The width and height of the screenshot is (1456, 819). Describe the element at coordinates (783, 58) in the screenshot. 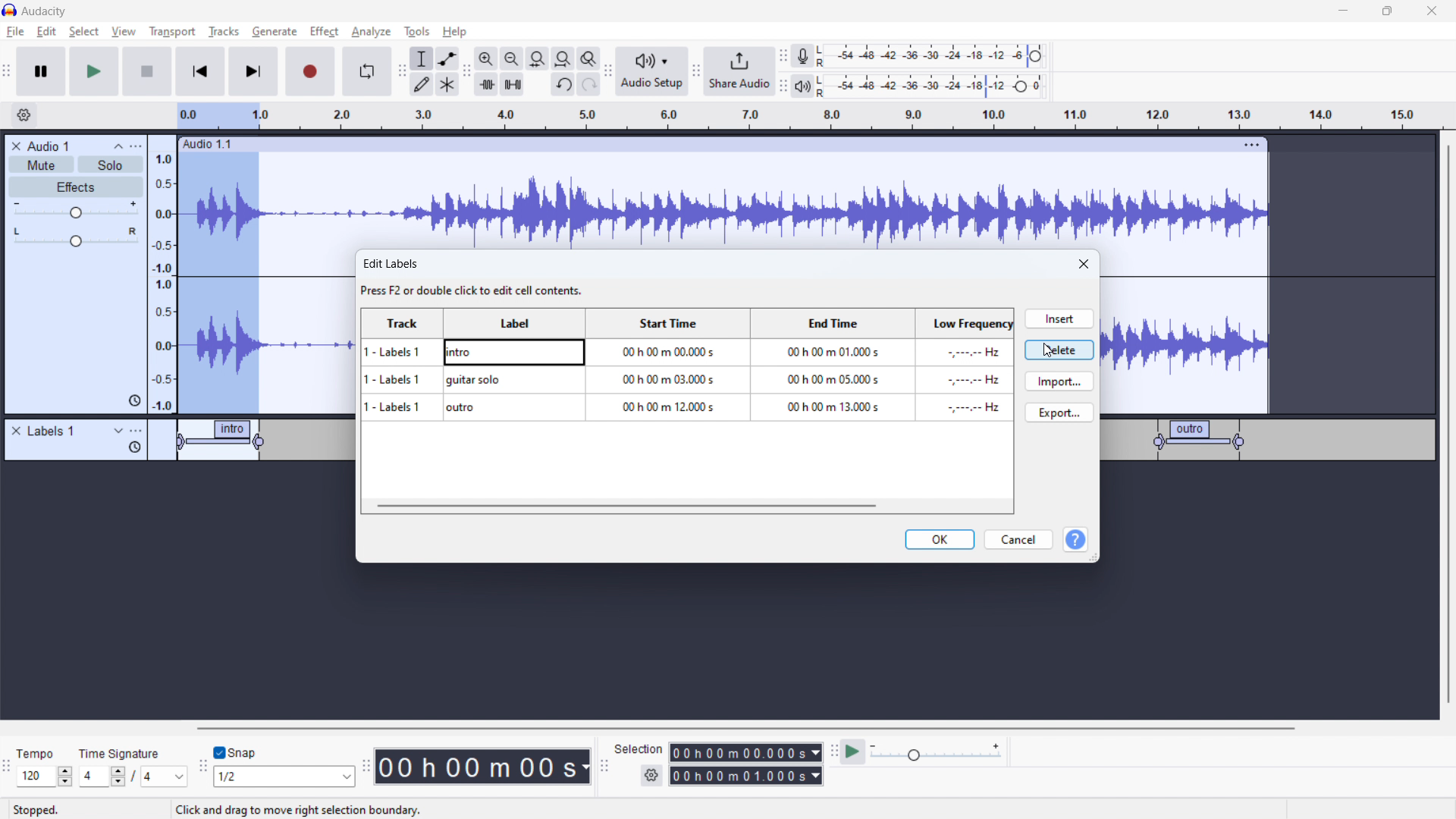

I see `recording meter toolbar` at that location.